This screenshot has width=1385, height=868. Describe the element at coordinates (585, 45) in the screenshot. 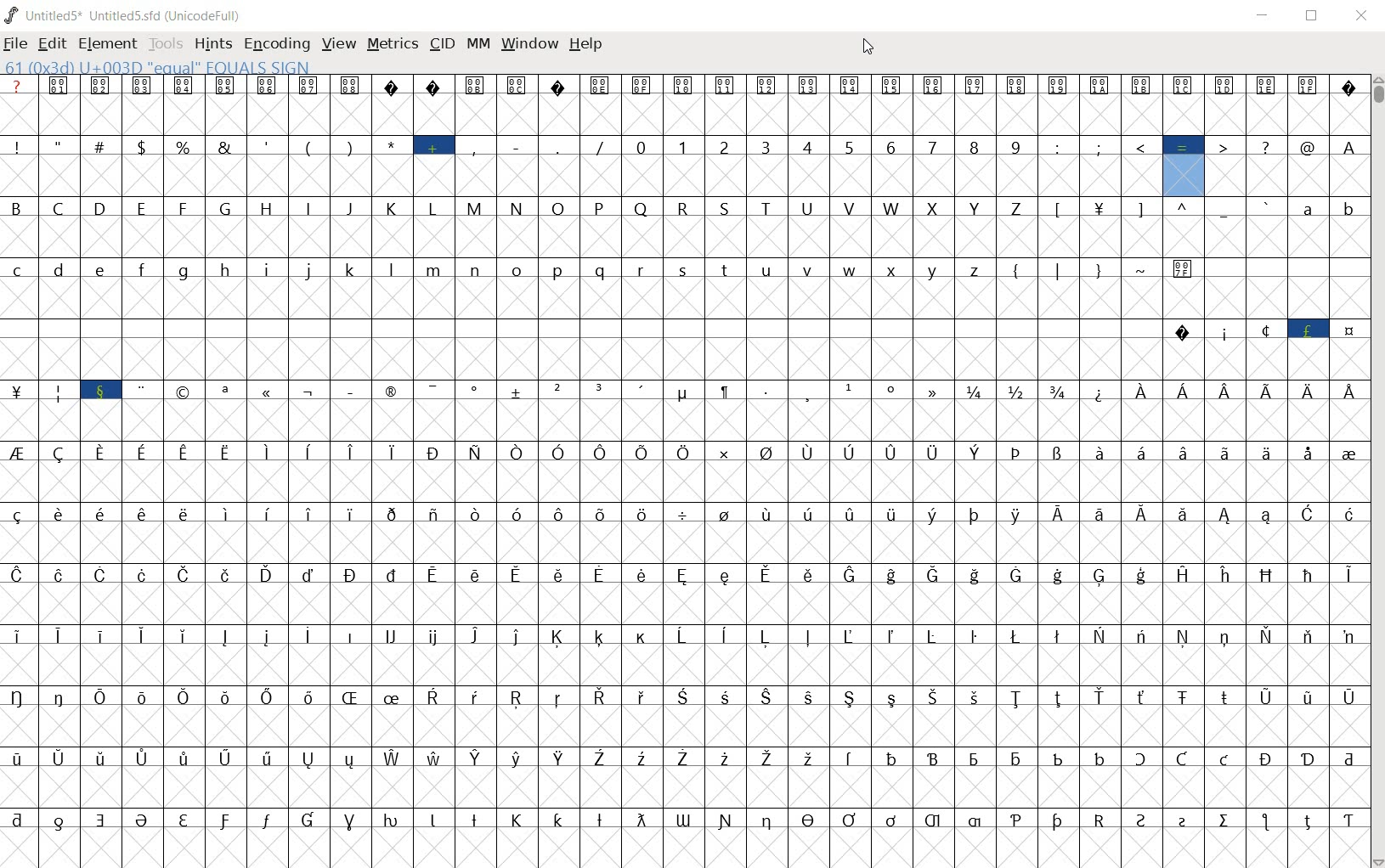

I see `help` at that location.